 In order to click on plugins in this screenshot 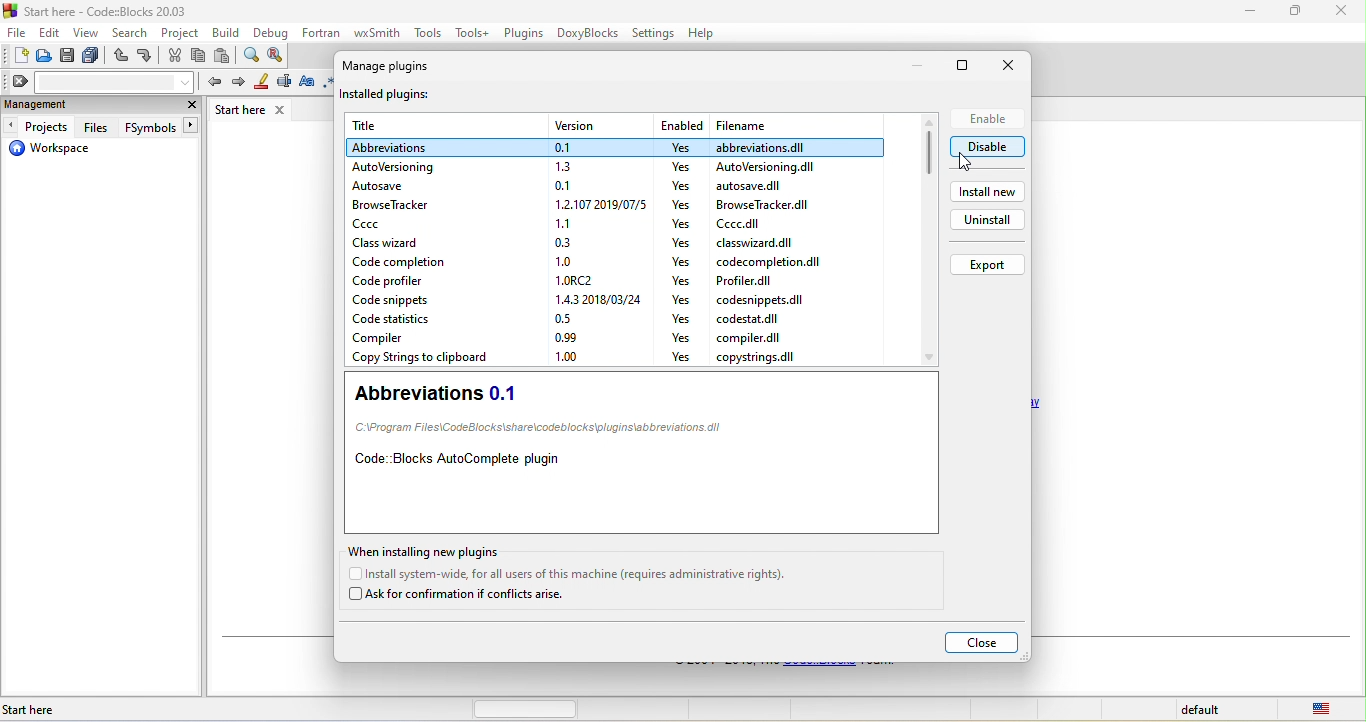, I will do `click(526, 34)`.